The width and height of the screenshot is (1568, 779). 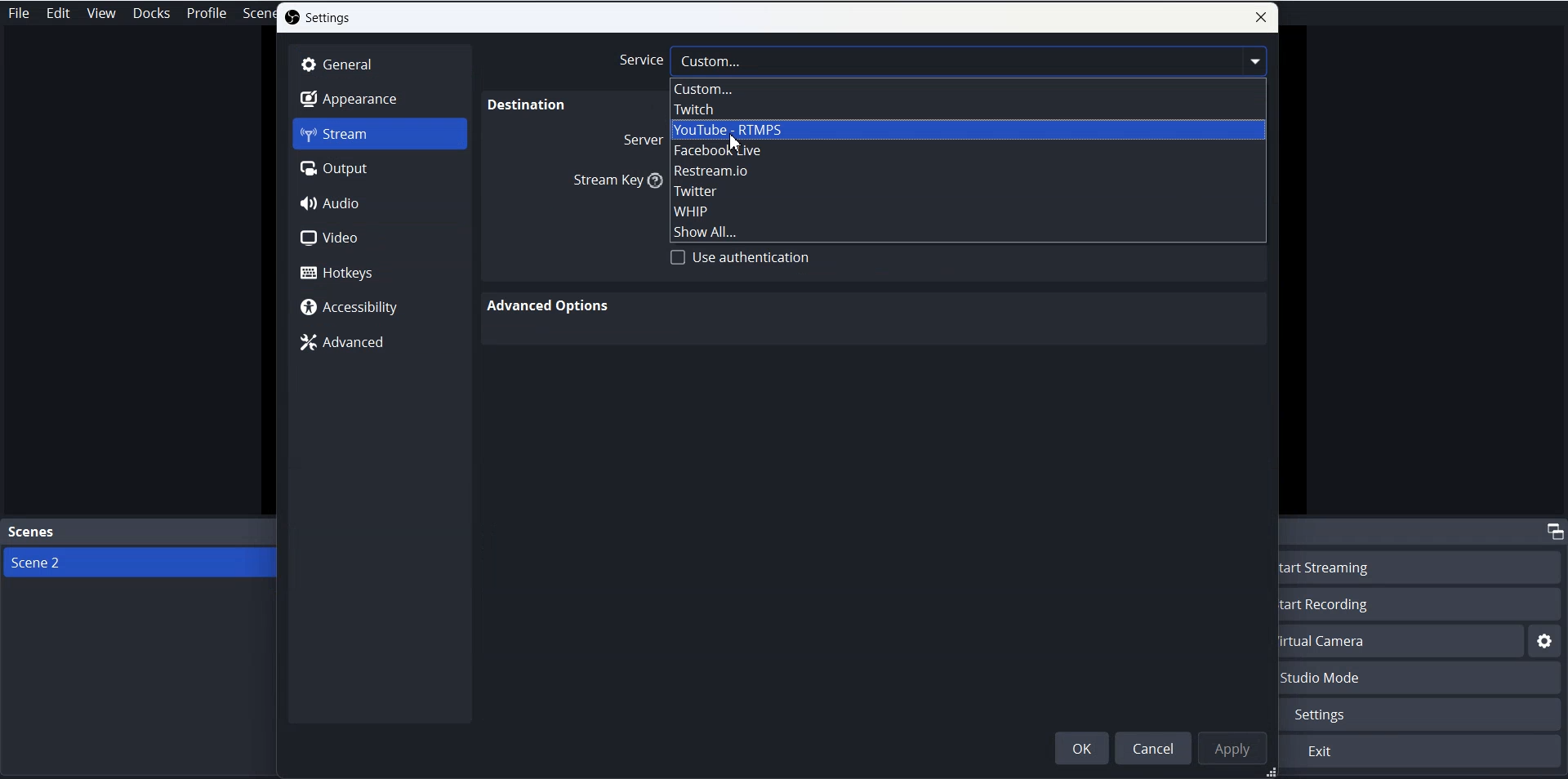 I want to click on close, so click(x=1261, y=17).